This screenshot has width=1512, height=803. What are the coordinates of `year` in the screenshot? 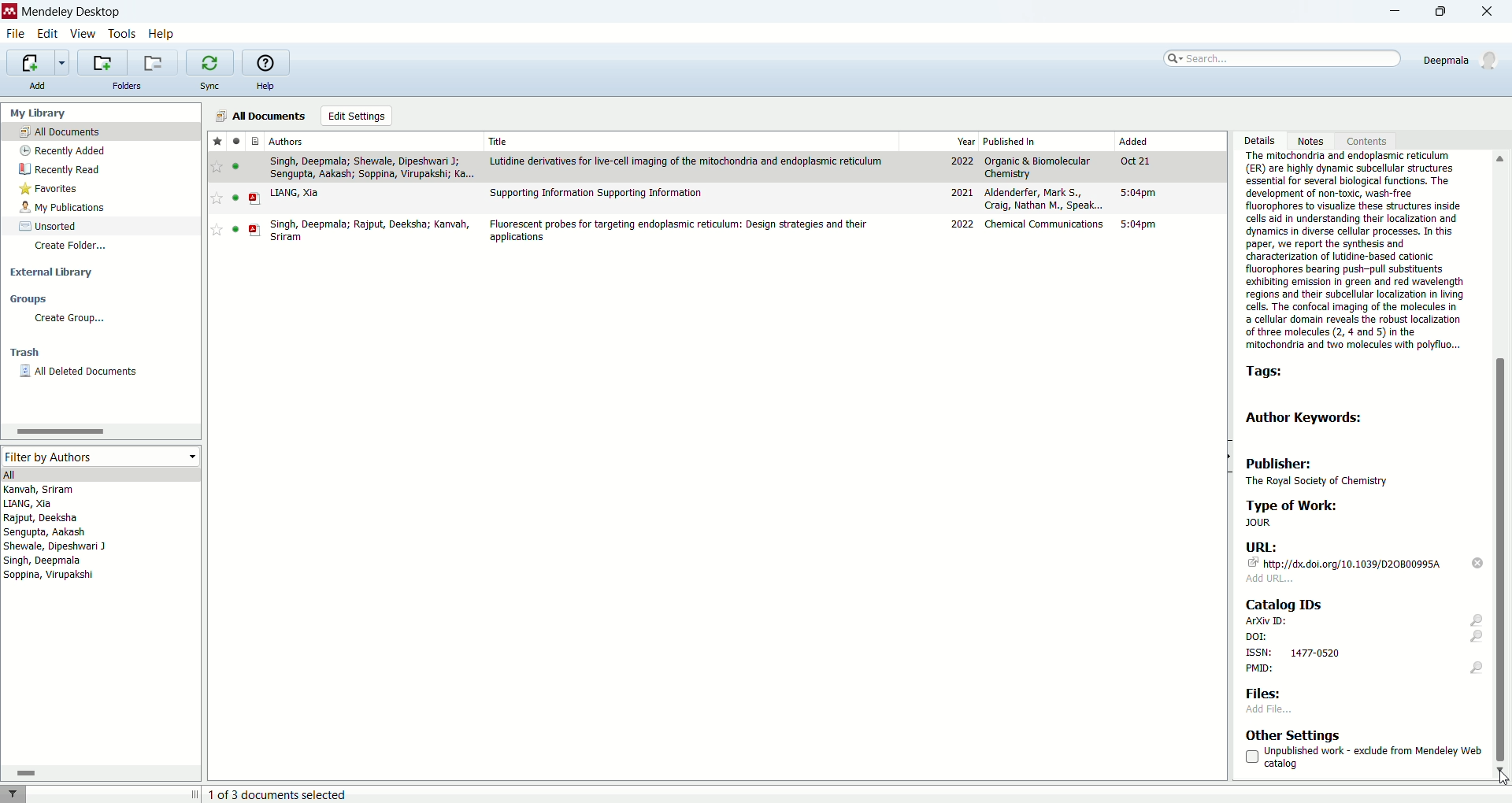 It's located at (966, 142).